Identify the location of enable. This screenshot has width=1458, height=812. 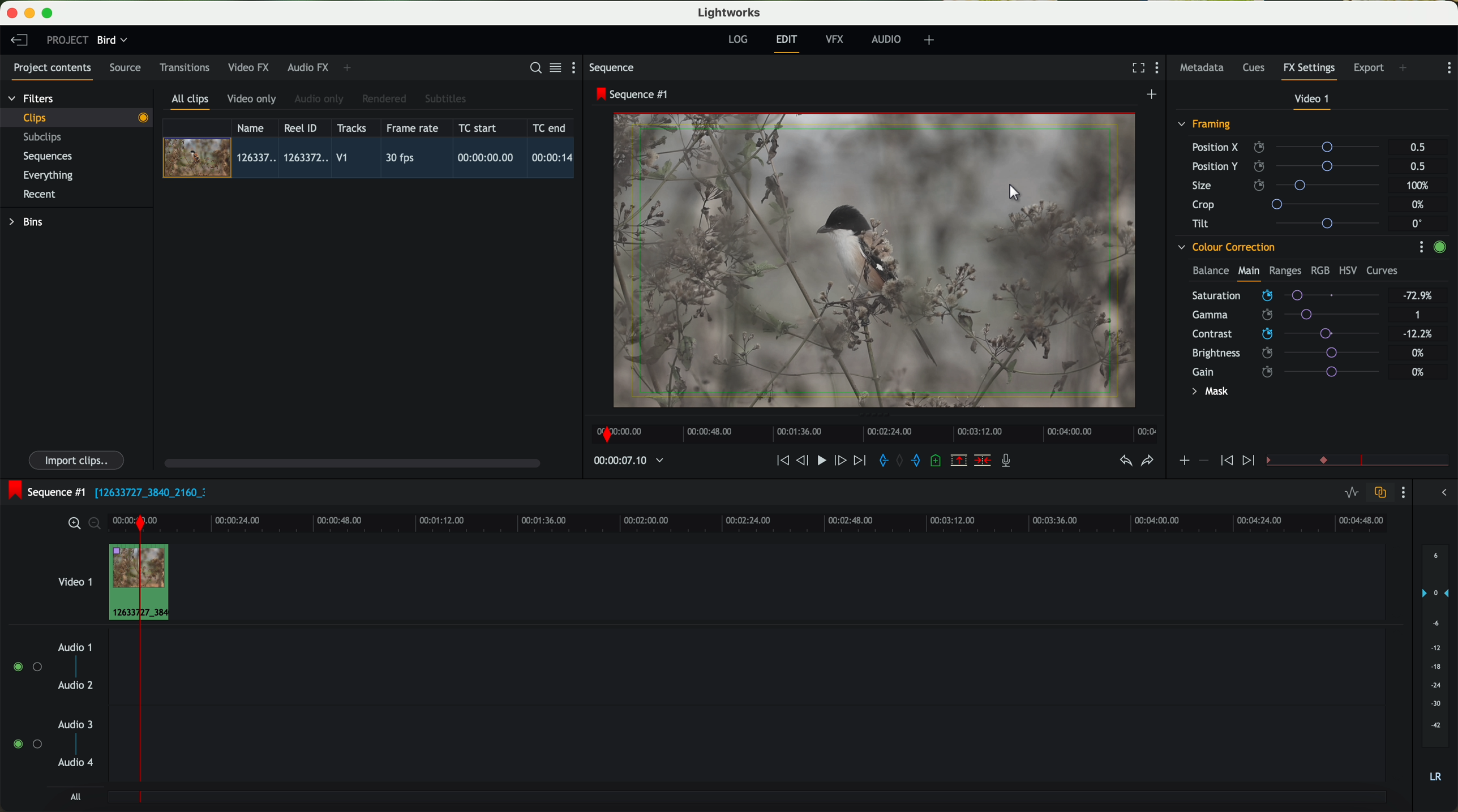
(1439, 248).